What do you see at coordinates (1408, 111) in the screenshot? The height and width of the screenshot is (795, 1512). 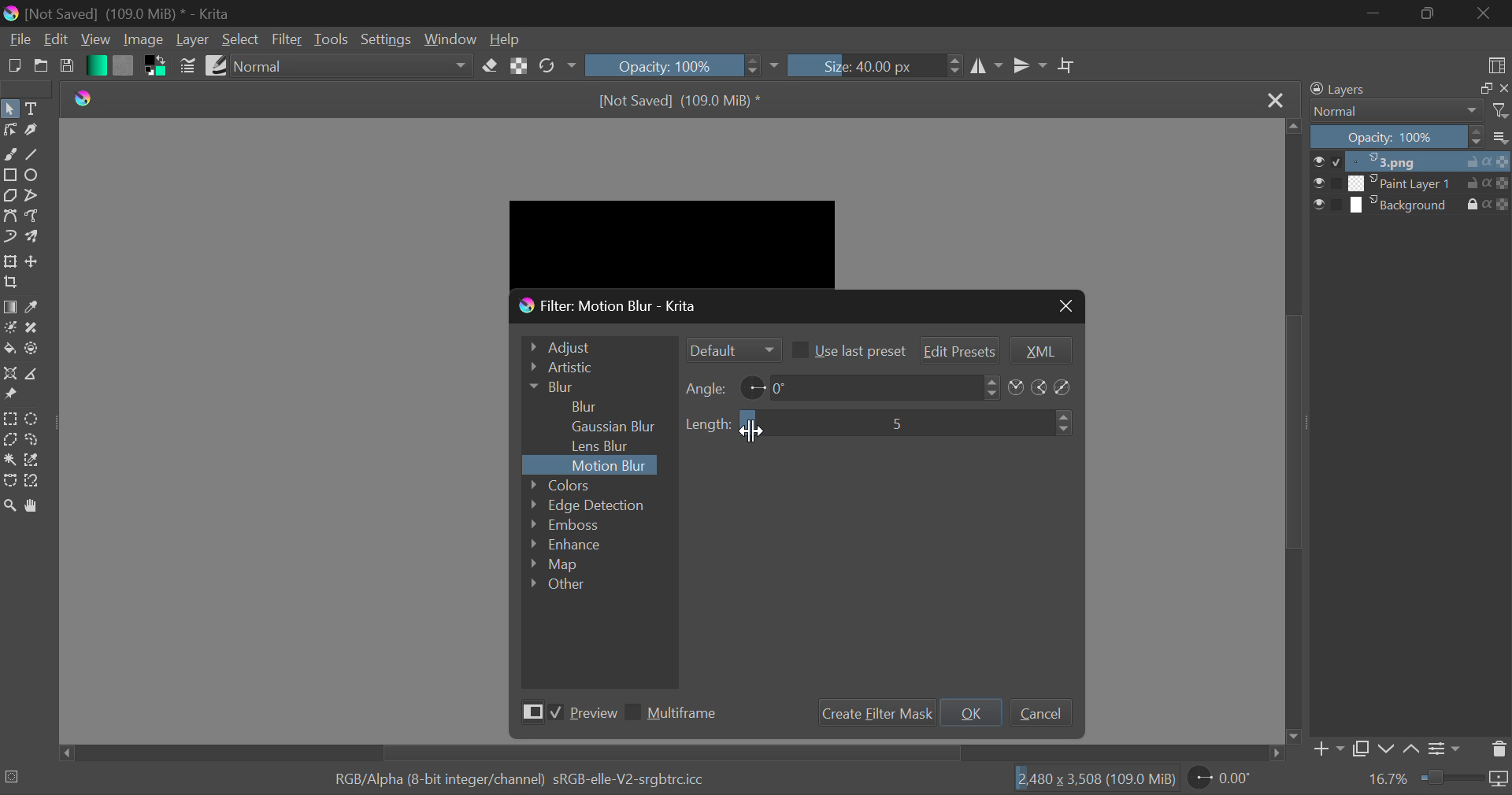 I see `Normal` at bounding box center [1408, 111].